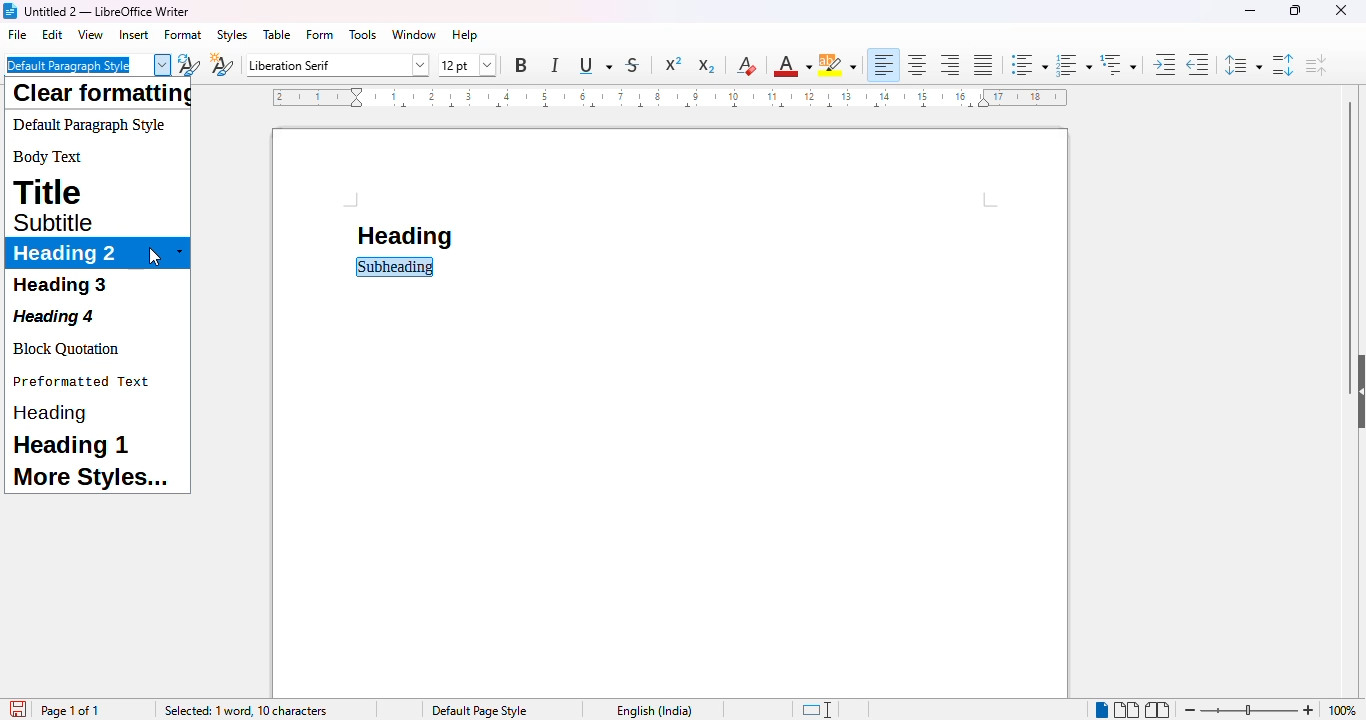 This screenshot has width=1366, height=720. Describe the element at coordinates (277, 34) in the screenshot. I see `table` at that location.